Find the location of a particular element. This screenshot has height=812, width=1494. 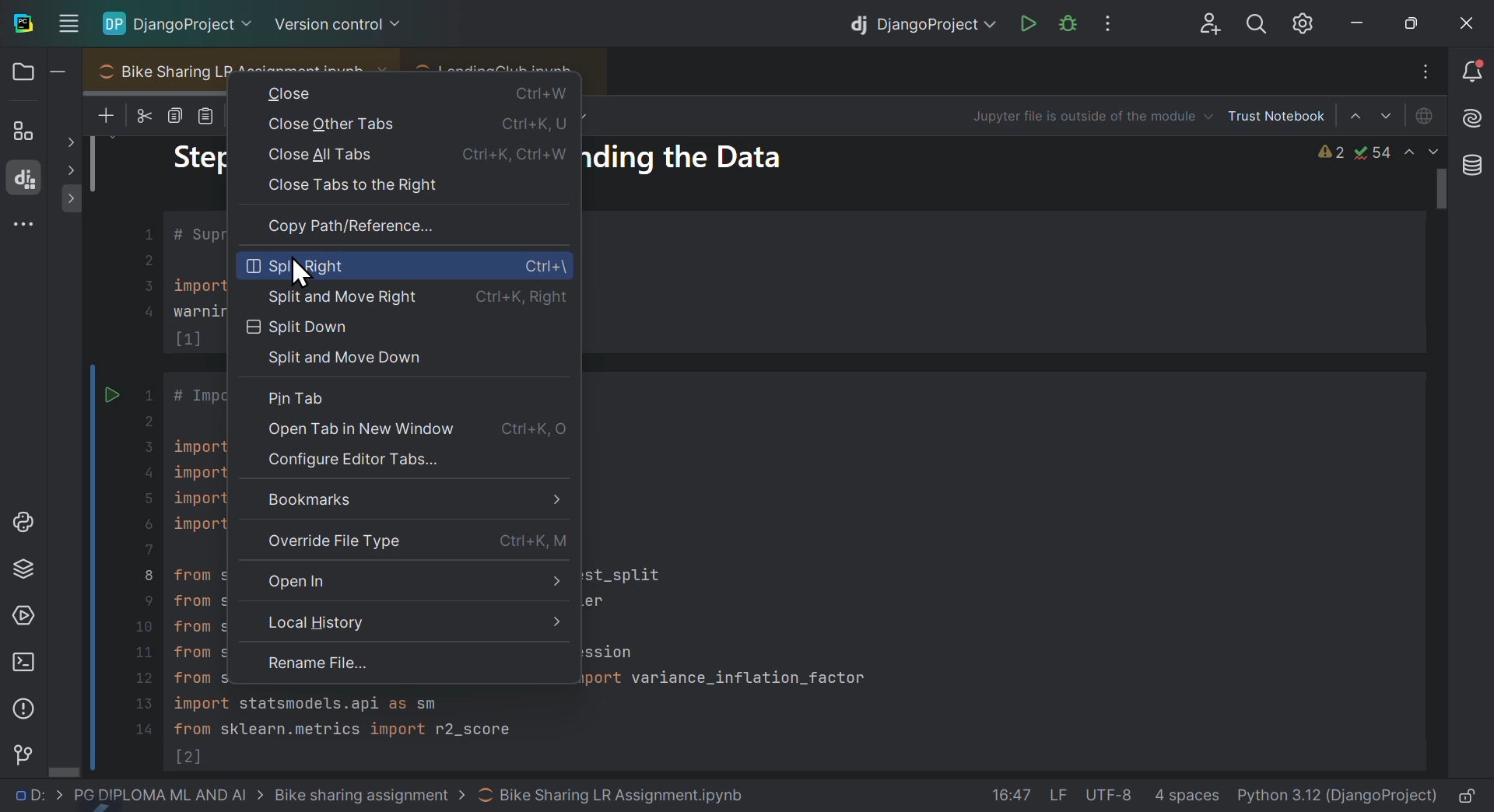

lock is located at coordinates (1465, 793).